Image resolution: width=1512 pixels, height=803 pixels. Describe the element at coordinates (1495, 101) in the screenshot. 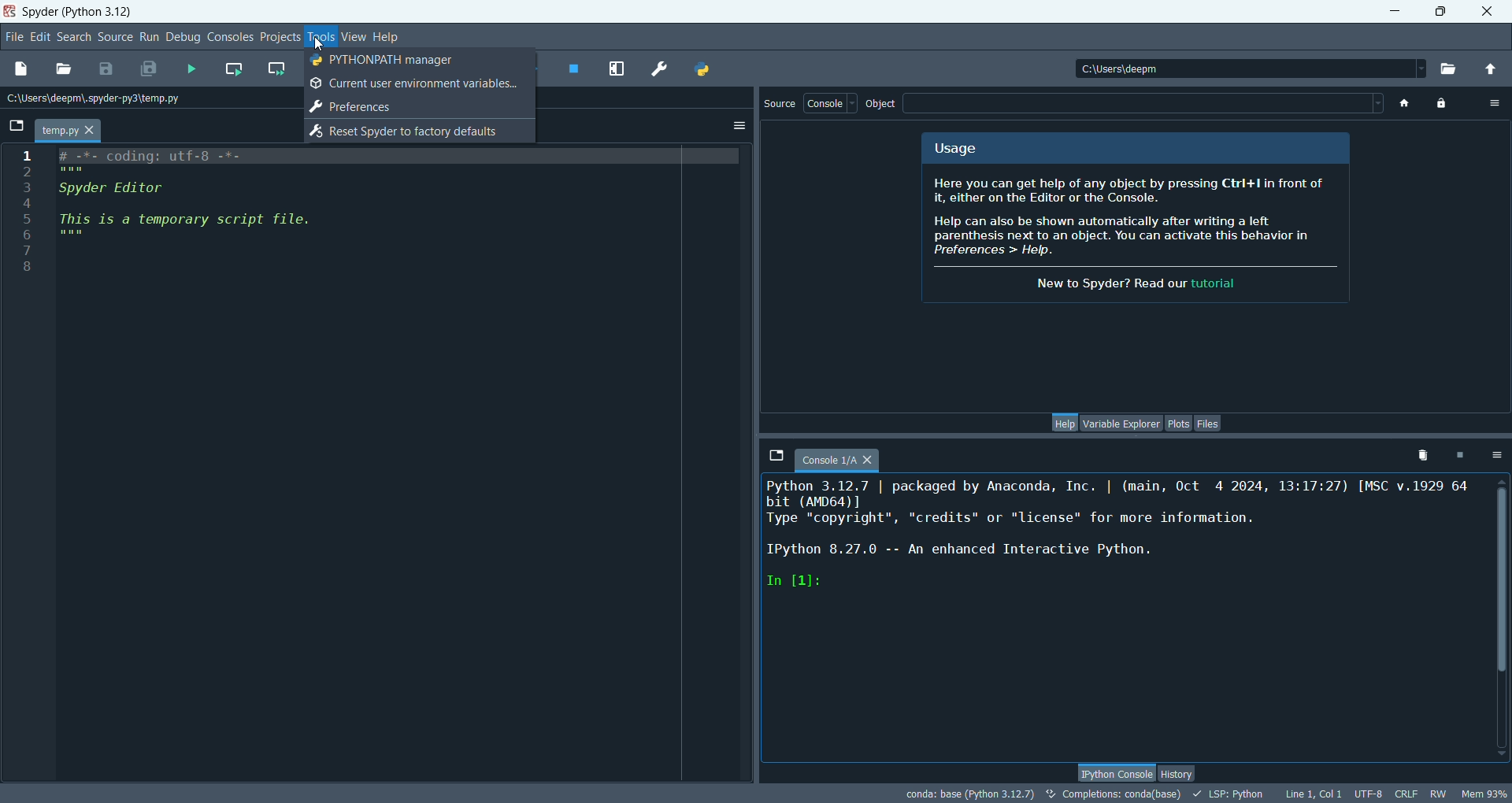

I see `options` at that location.